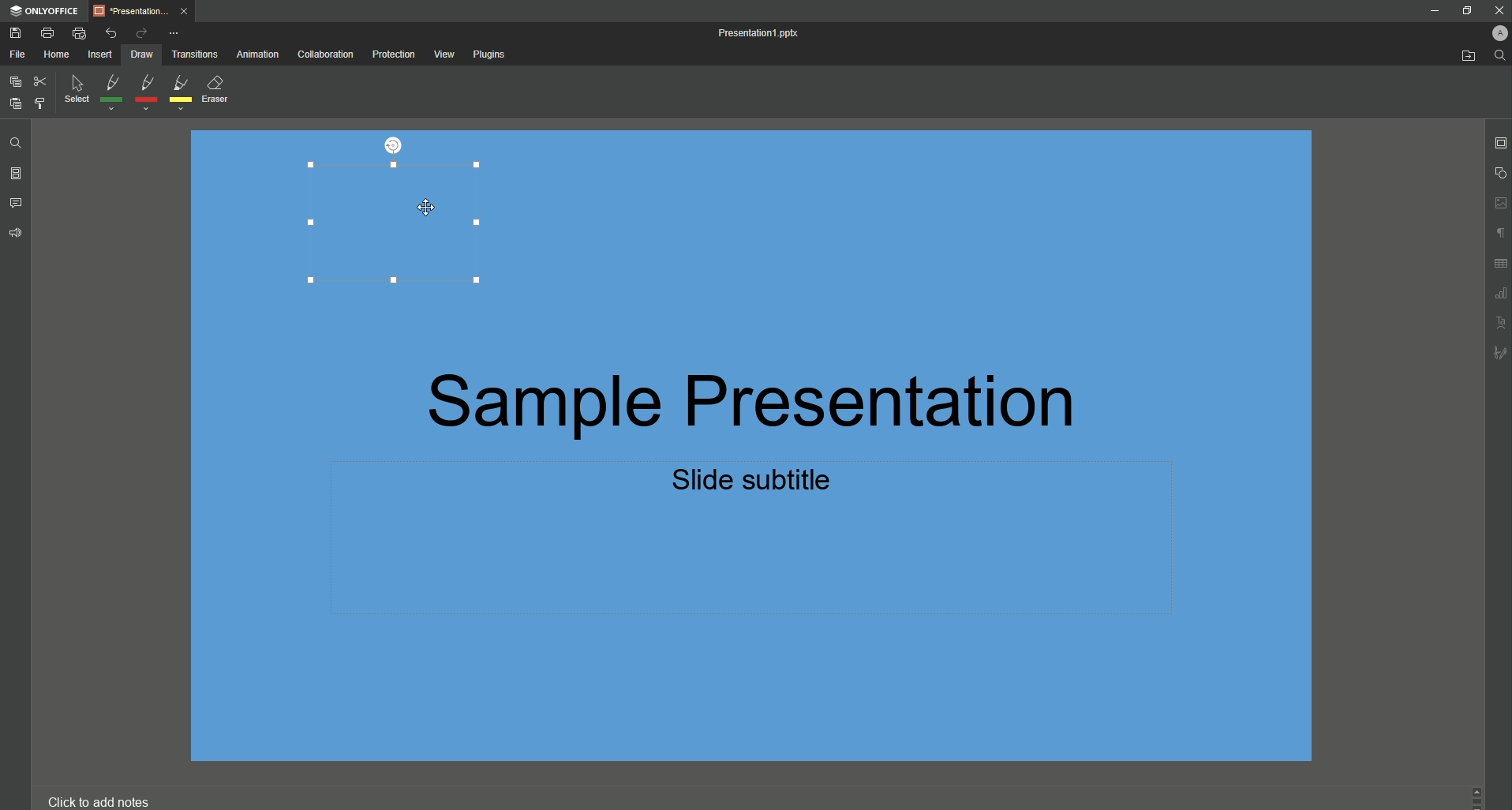  Describe the element at coordinates (17, 34) in the screenshot. I see `Save` at that location.